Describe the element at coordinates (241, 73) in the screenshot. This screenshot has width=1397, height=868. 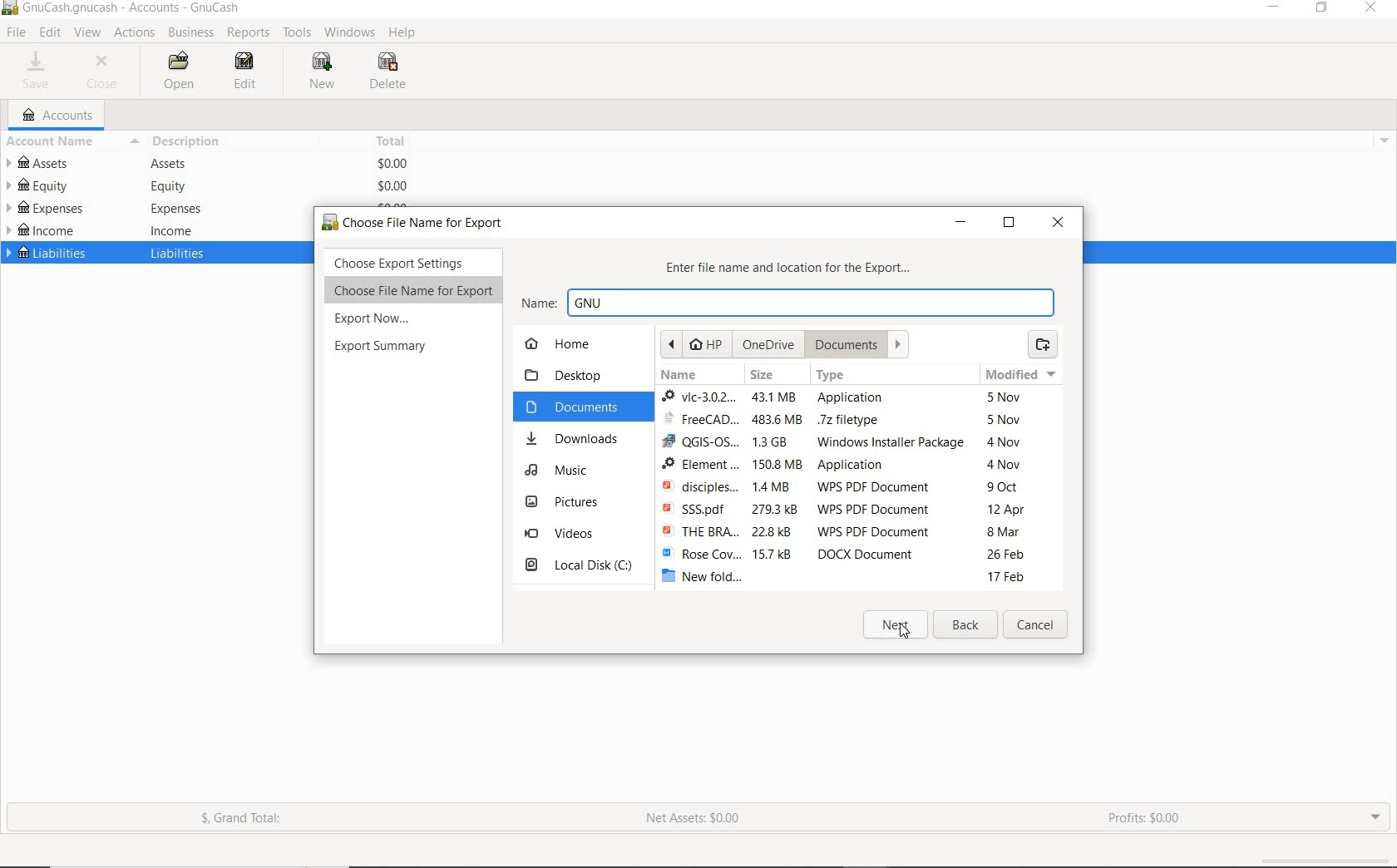
I see `EDIT` at that location.